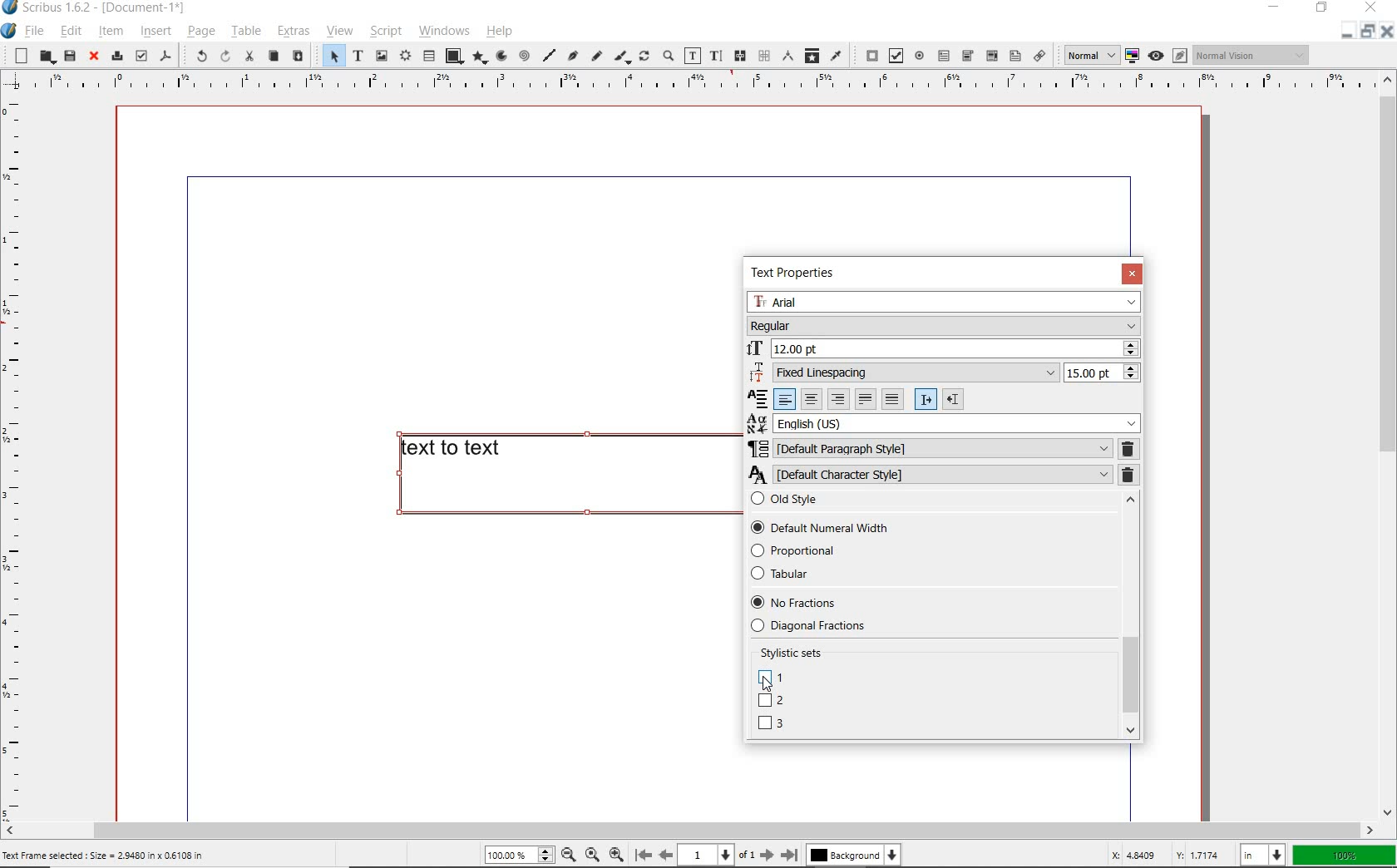  What do you see at coordinates (768, 699) in the screenshot?
I see `DEFAULT NUMBERS` at bounding box center [768, 699].